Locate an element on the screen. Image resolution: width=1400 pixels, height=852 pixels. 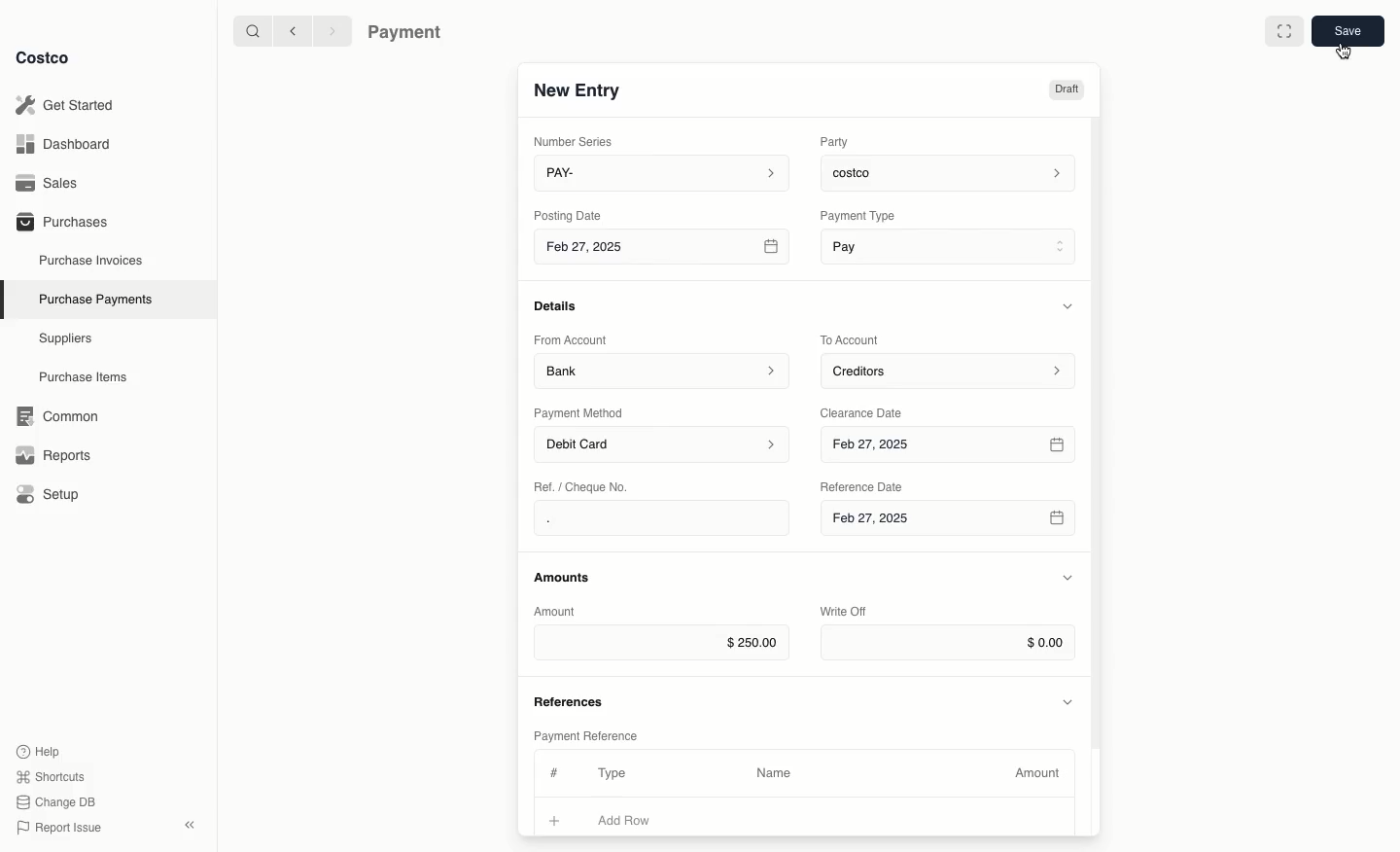
New Entry is located at coordinates (578, 89).